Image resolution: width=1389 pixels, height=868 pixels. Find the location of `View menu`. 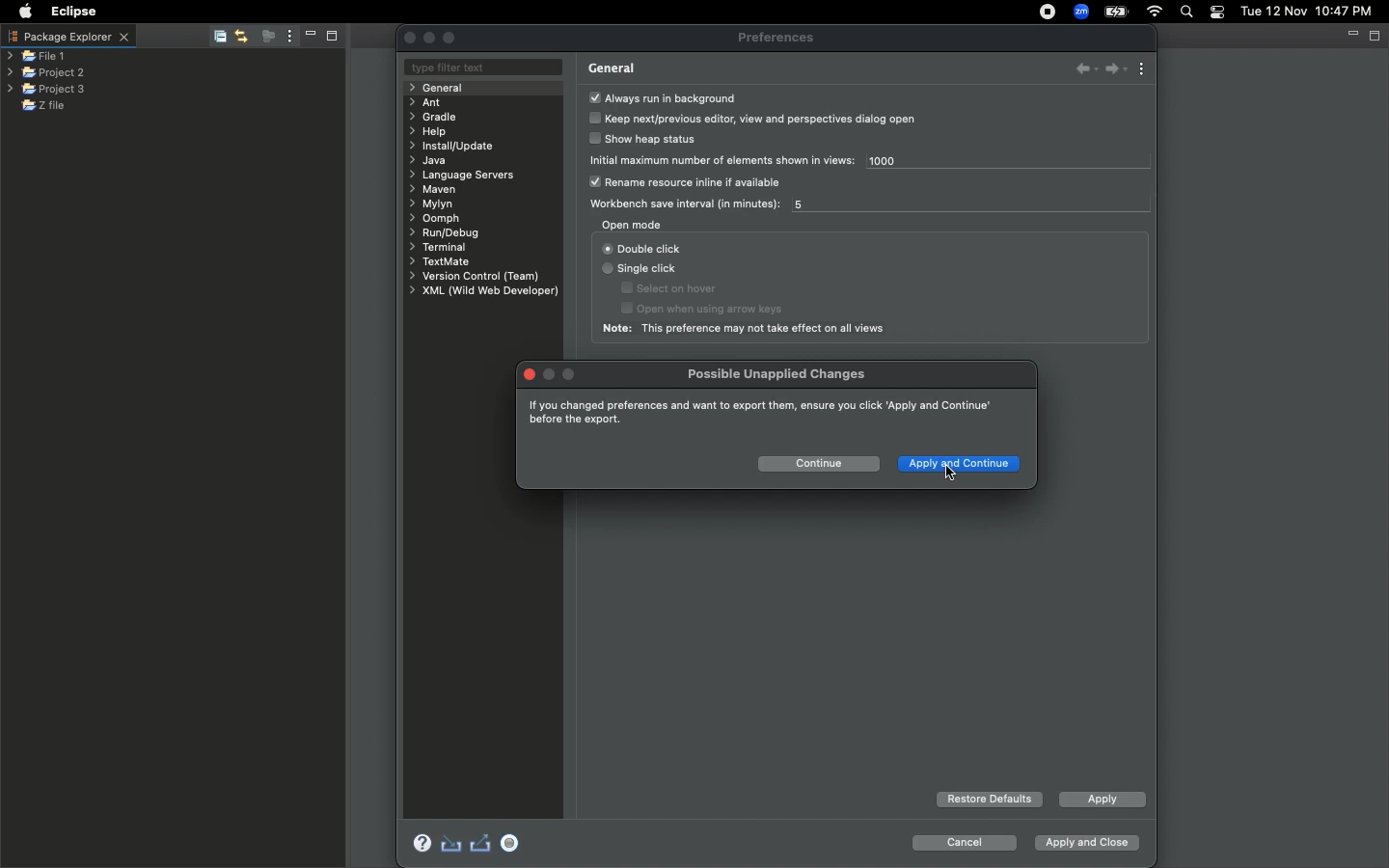

View menu is located at coordinates (1144, 68).